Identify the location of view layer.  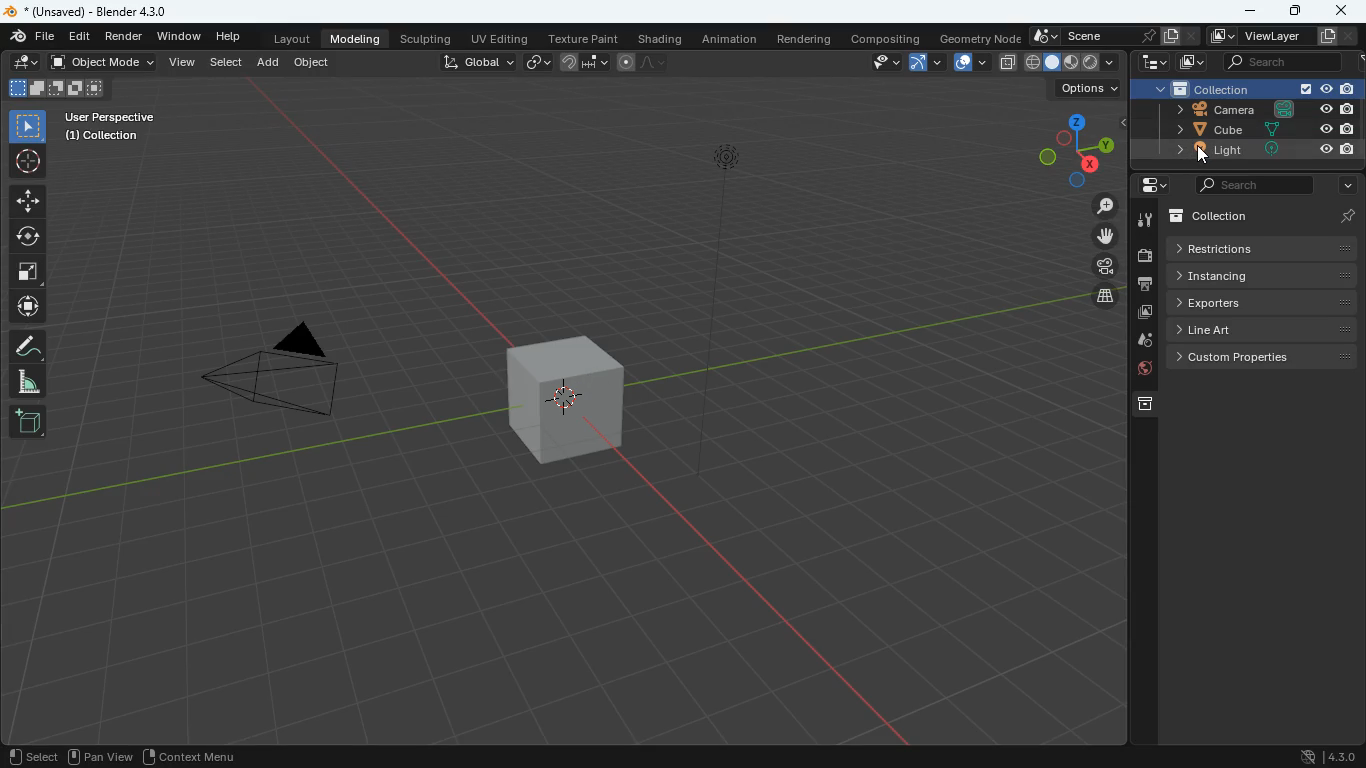
(1272, 36).